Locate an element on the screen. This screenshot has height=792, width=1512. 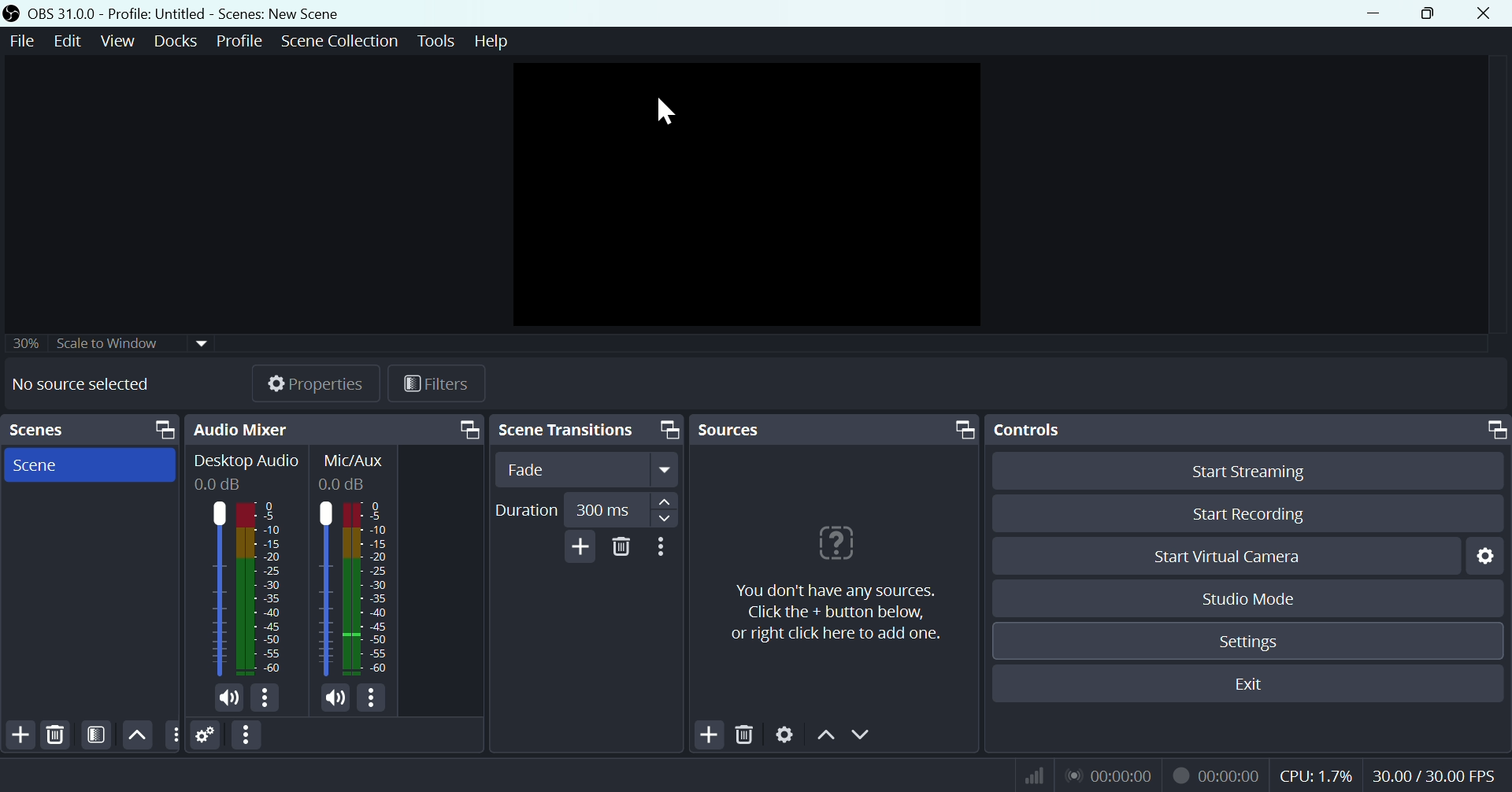
sources note is located at coordinates (836, 594).